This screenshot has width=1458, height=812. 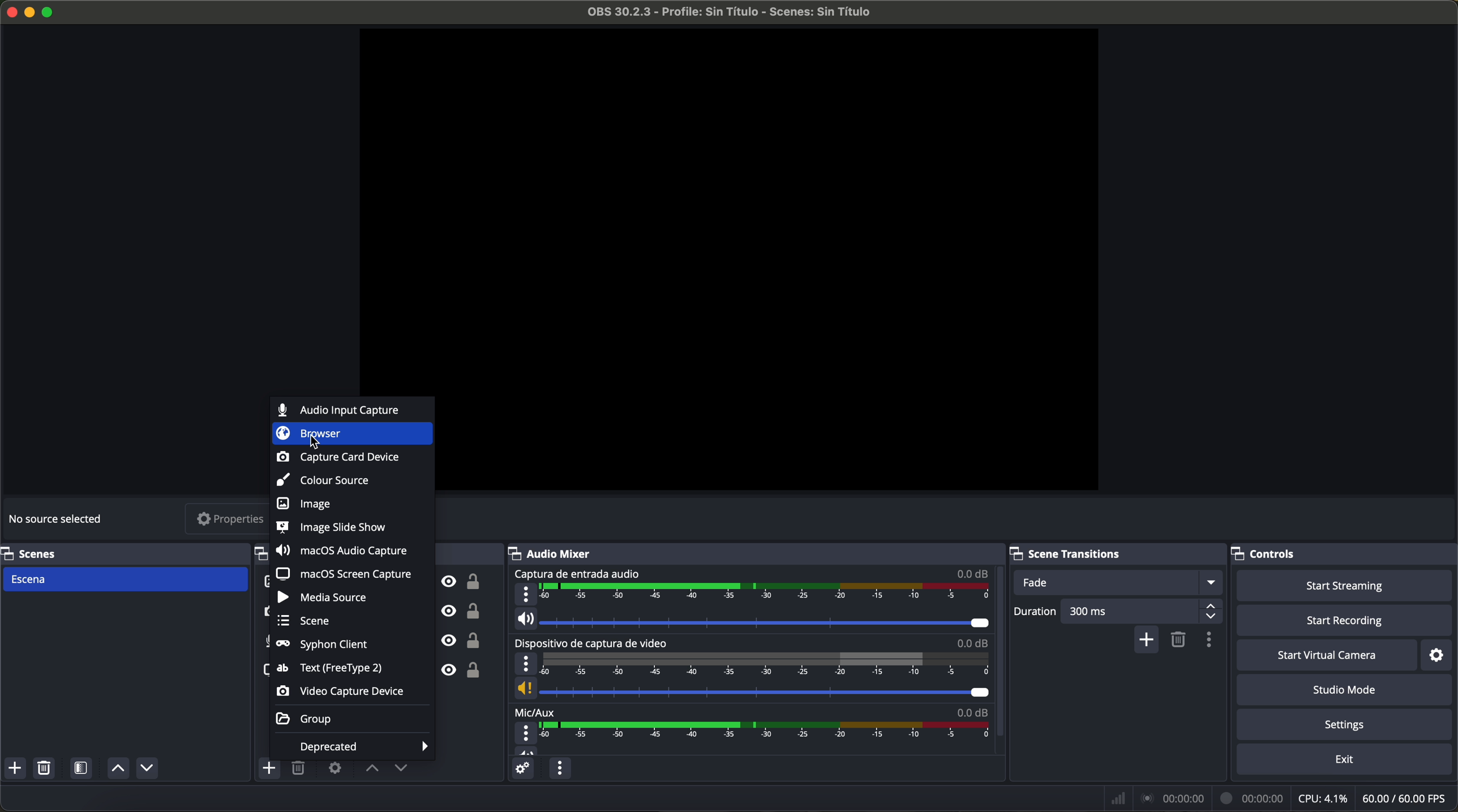 What do you see at coordinates (127, 579) in the screenshot?
I see `scene` at bounding box center [127, 579].